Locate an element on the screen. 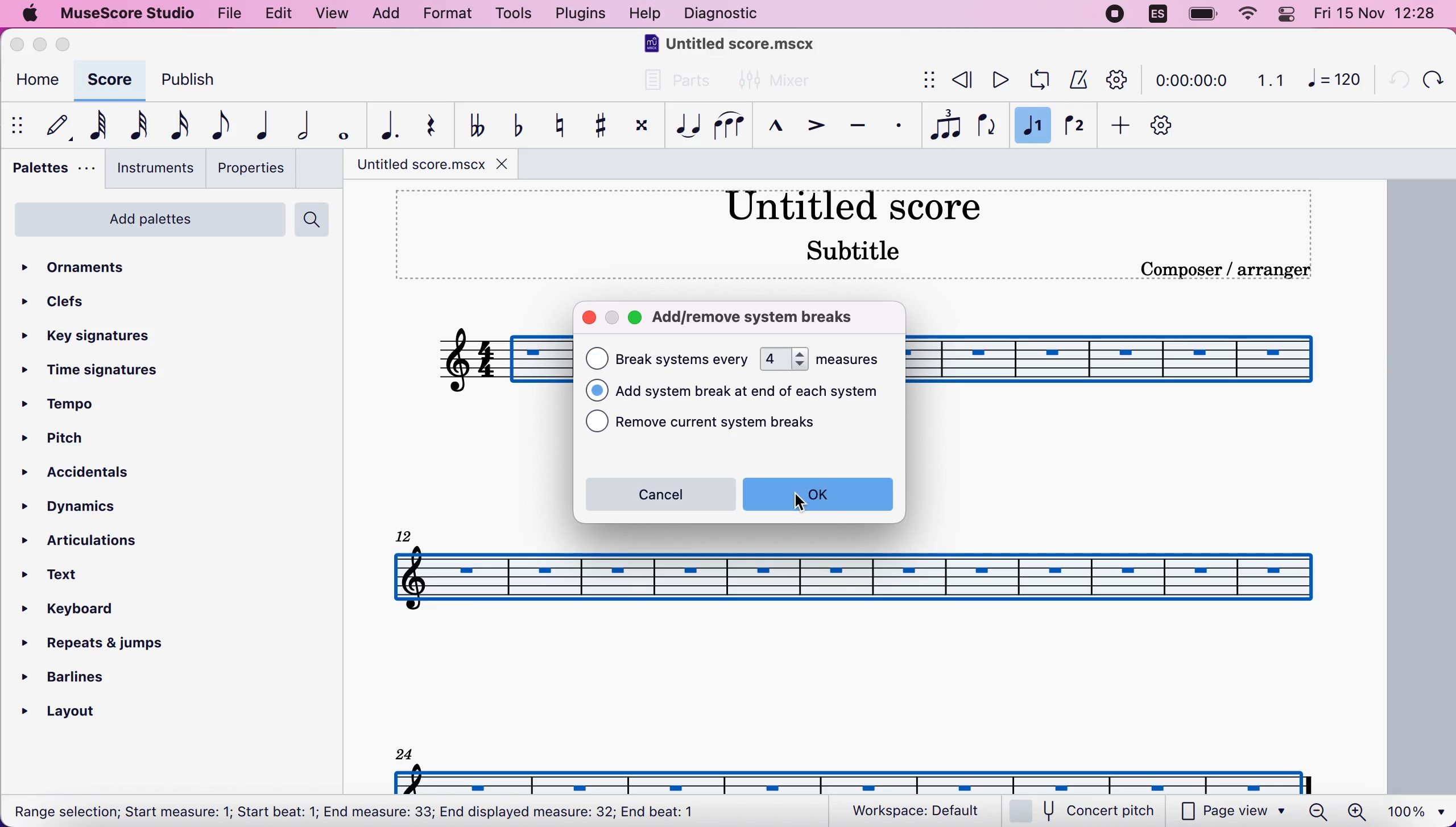  4 is located at coordinates (784, 359).